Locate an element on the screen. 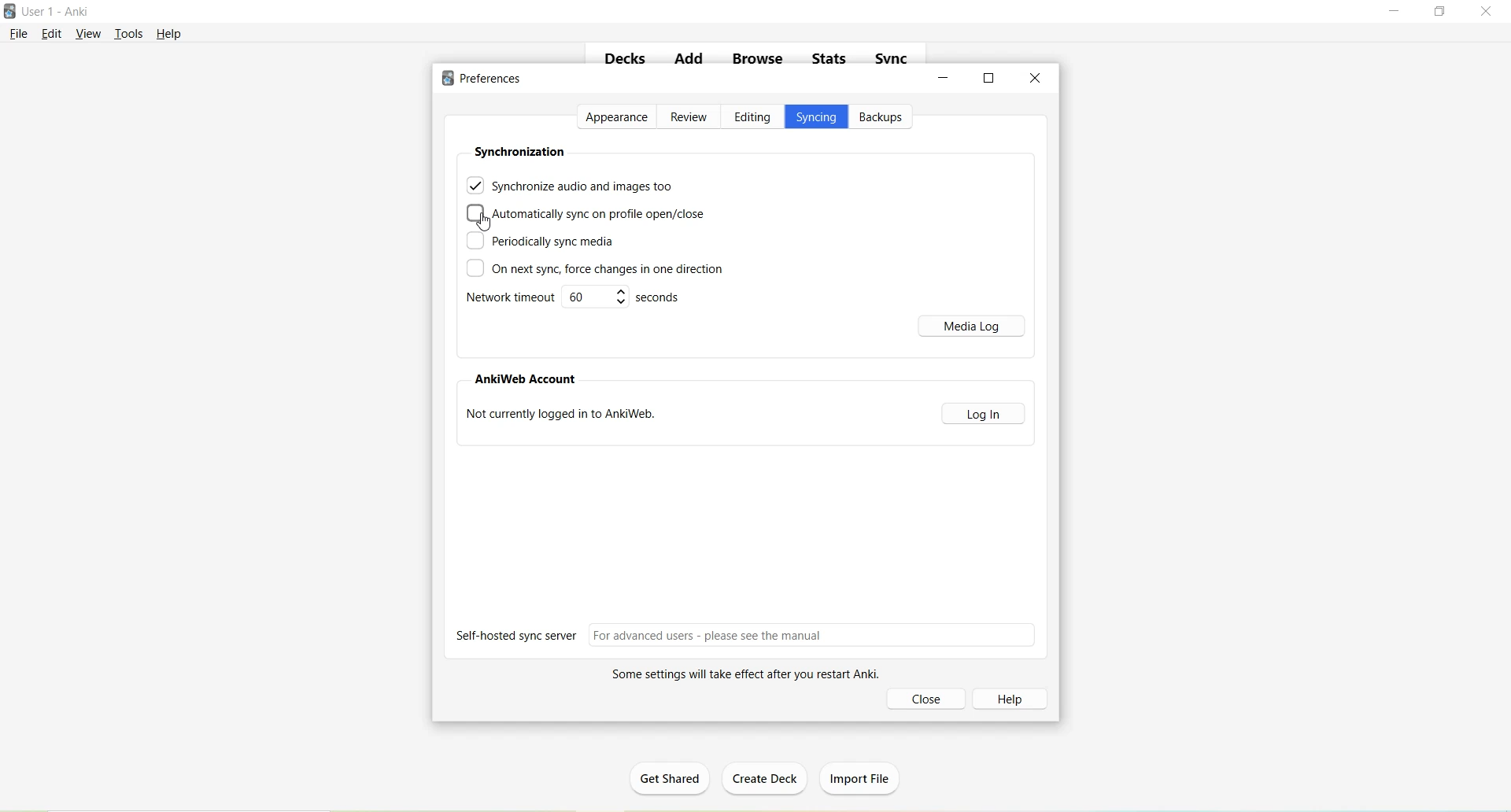 This screenshot has height=812, width=1511. Editing is located at coordinates (752, 118).